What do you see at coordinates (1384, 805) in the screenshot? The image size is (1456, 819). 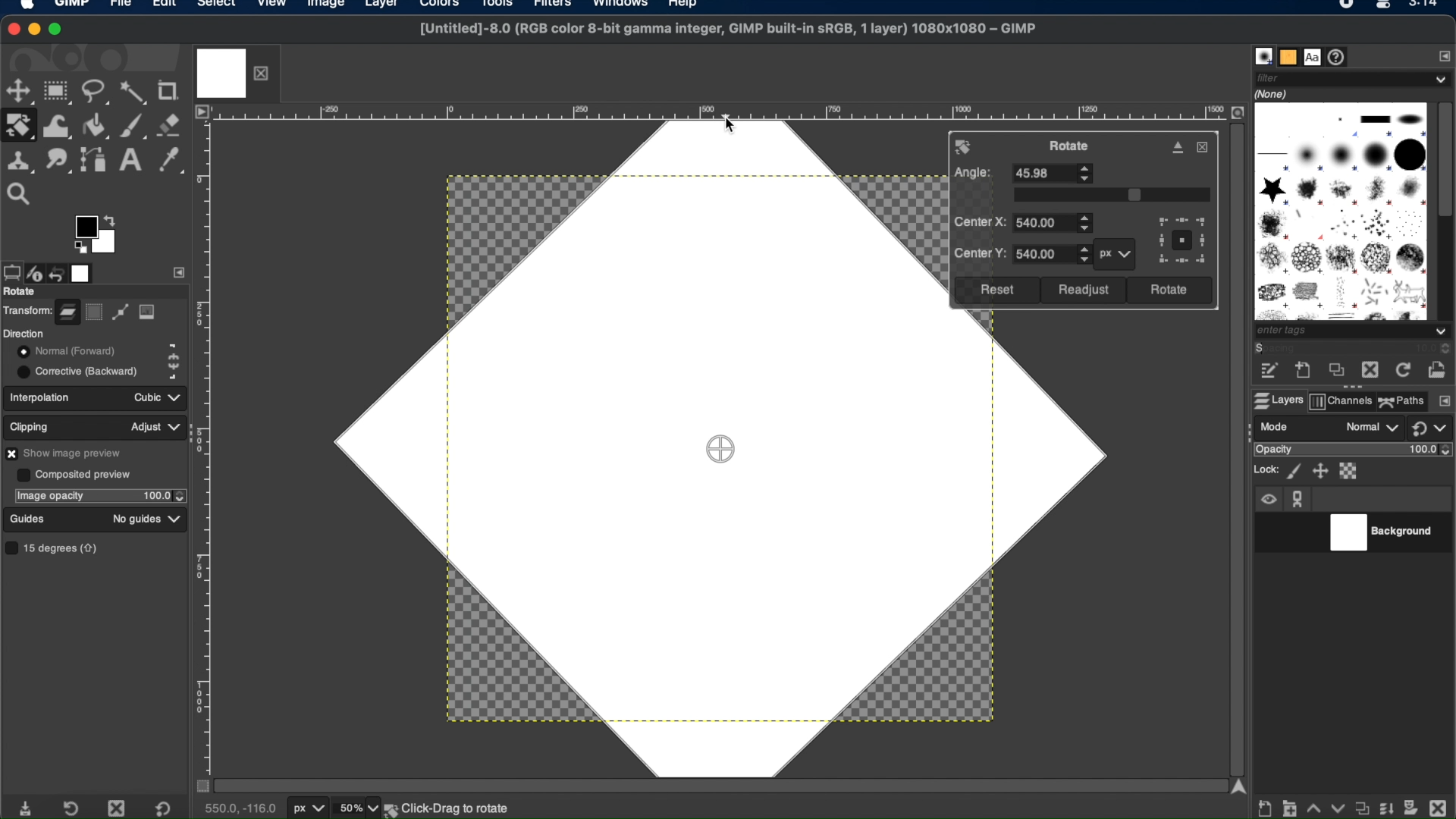 I see `merge layer and properties` at bounding box center [1384, 805].